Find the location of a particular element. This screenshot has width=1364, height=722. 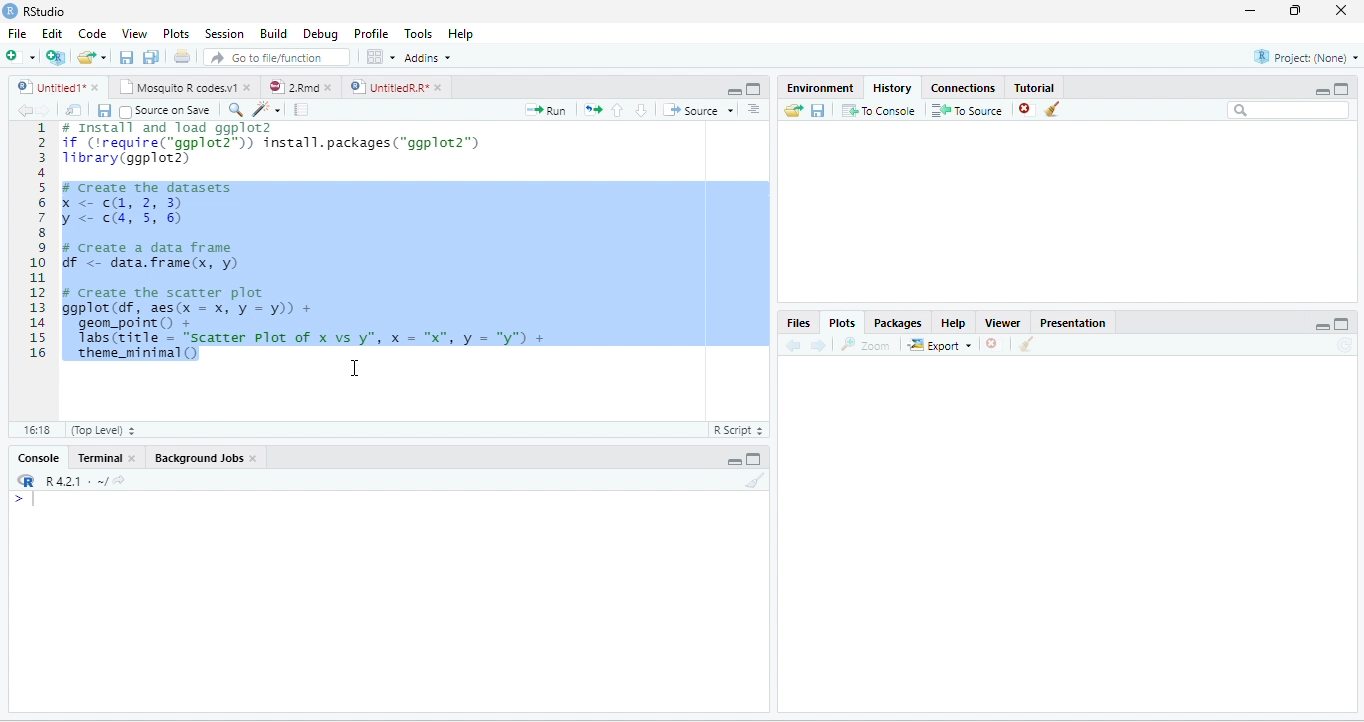

restore is located at coordinates (1297, 11).